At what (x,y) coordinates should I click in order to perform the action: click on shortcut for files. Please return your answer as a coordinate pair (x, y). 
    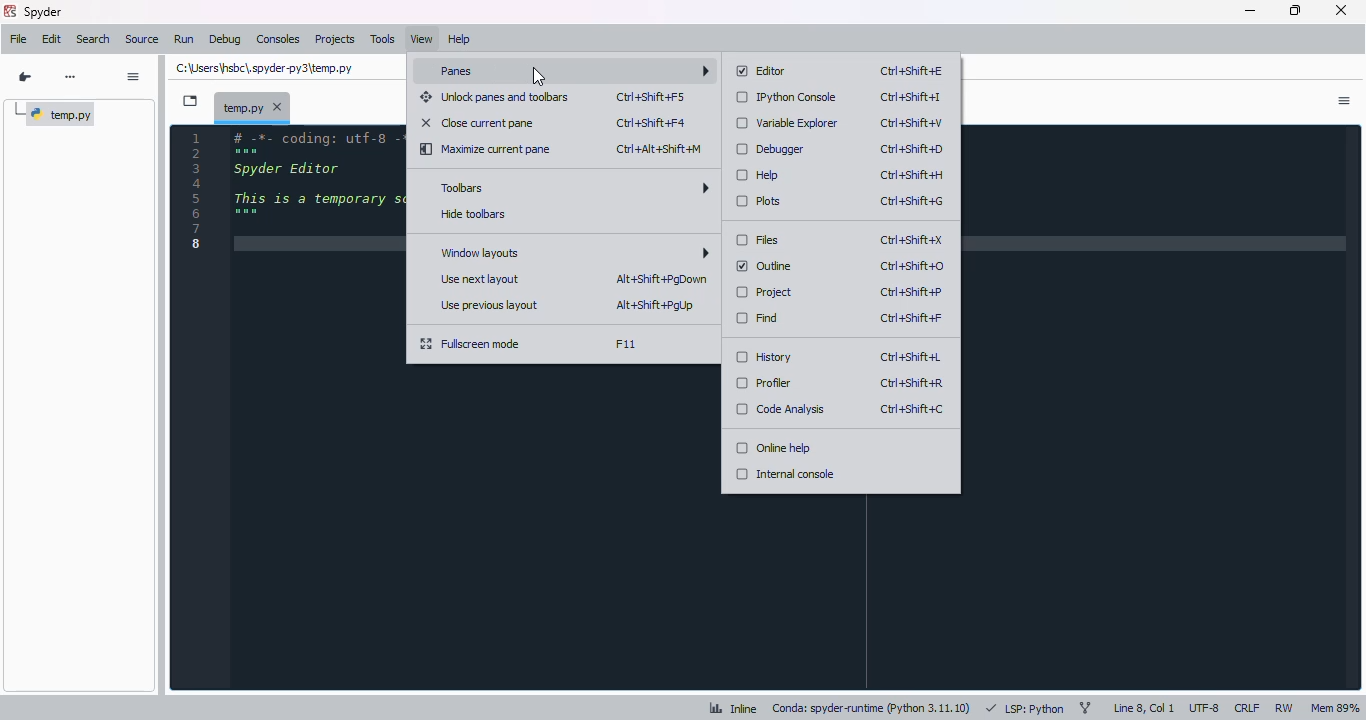
    Looking at the image, I should click on (911, 241).